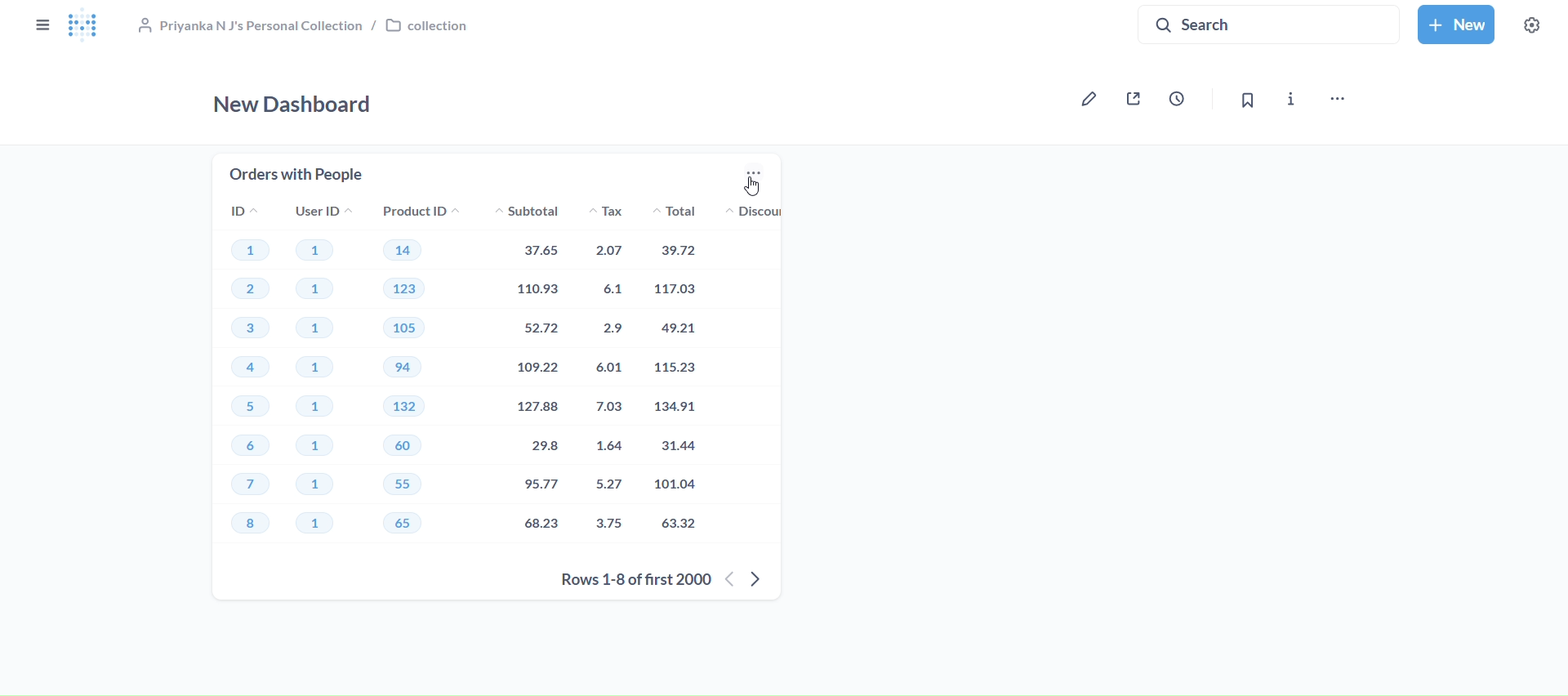 The height and width of the screenshot is (696, 1568). What do you see at coordinates (626, 579) in the screenshot?
I see `rows 1-8 of first 2000` at bounding box center [626, 579].